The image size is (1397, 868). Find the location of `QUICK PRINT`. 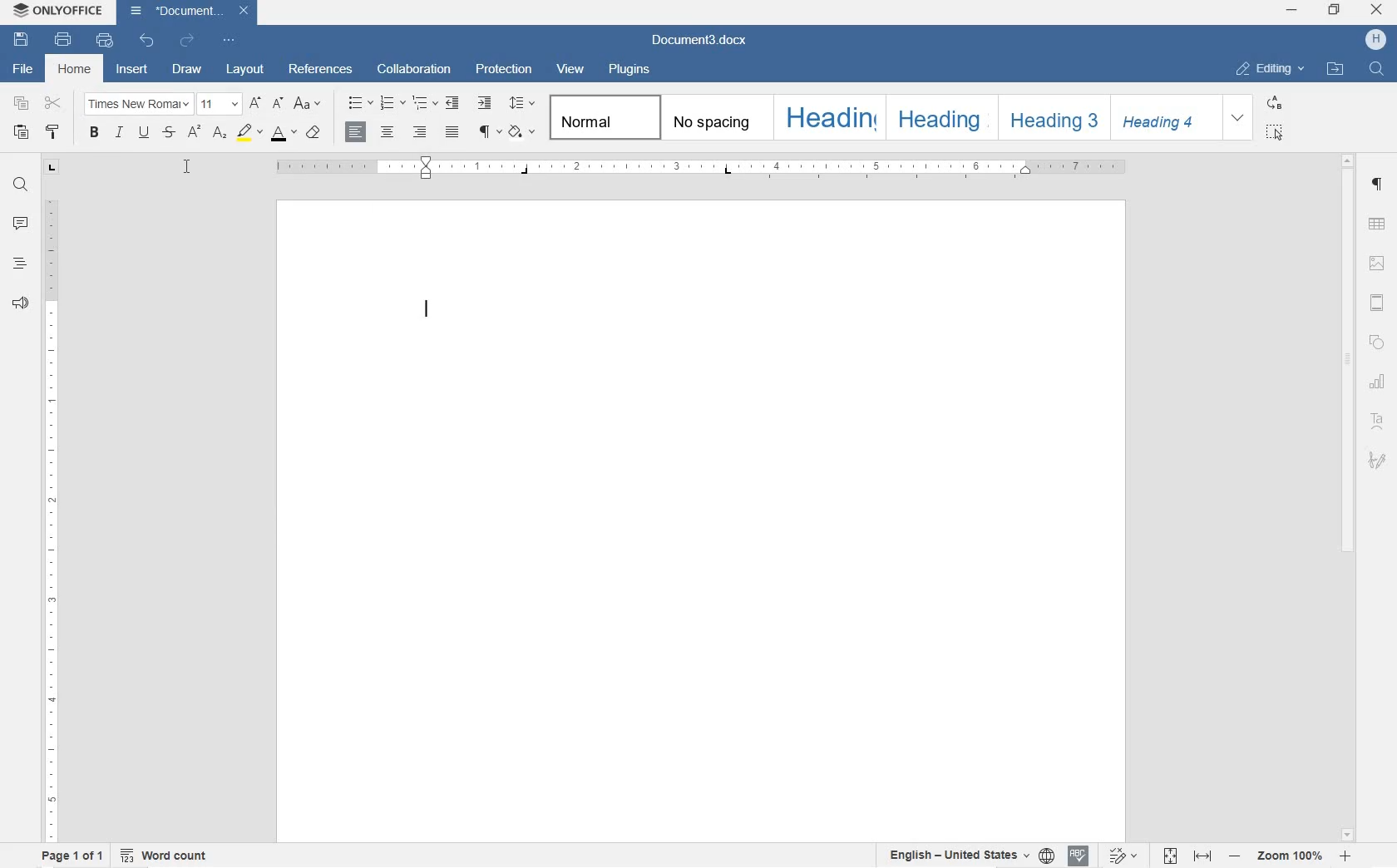

QUICK PRINT is located at coordinates (102, 40).